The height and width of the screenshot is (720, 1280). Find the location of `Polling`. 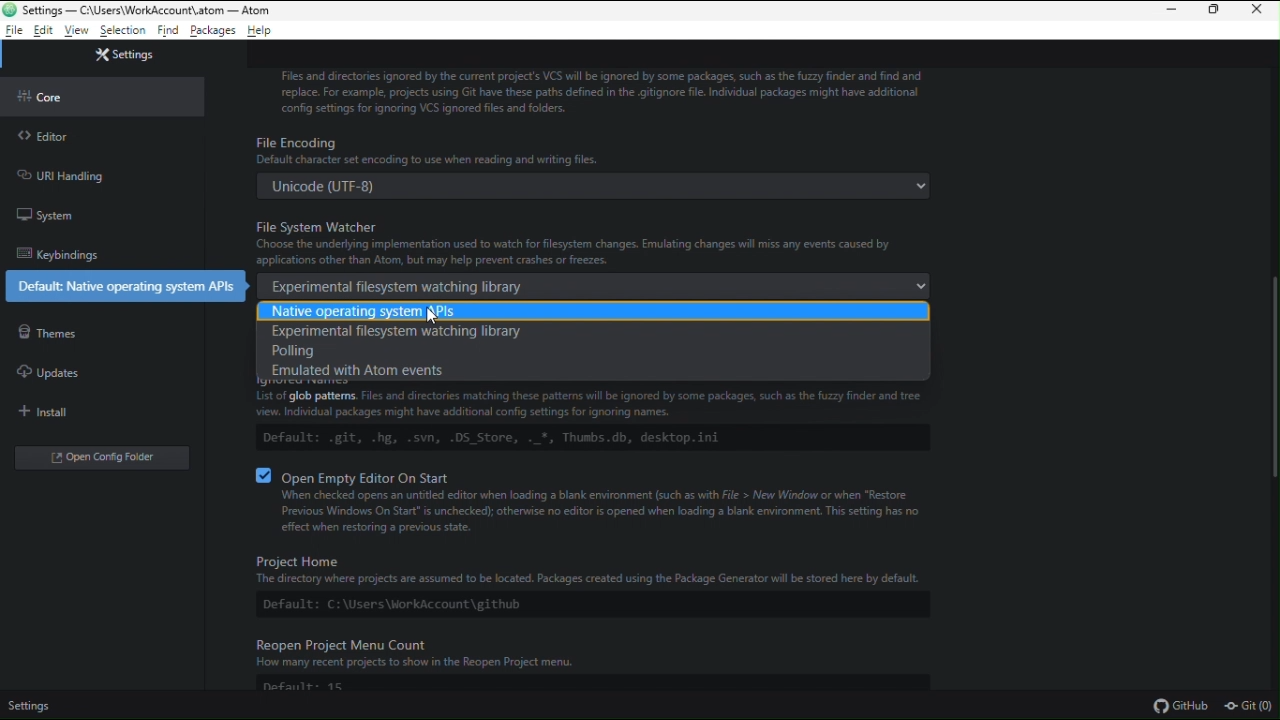

Polling is located at coordinates (366, 350).